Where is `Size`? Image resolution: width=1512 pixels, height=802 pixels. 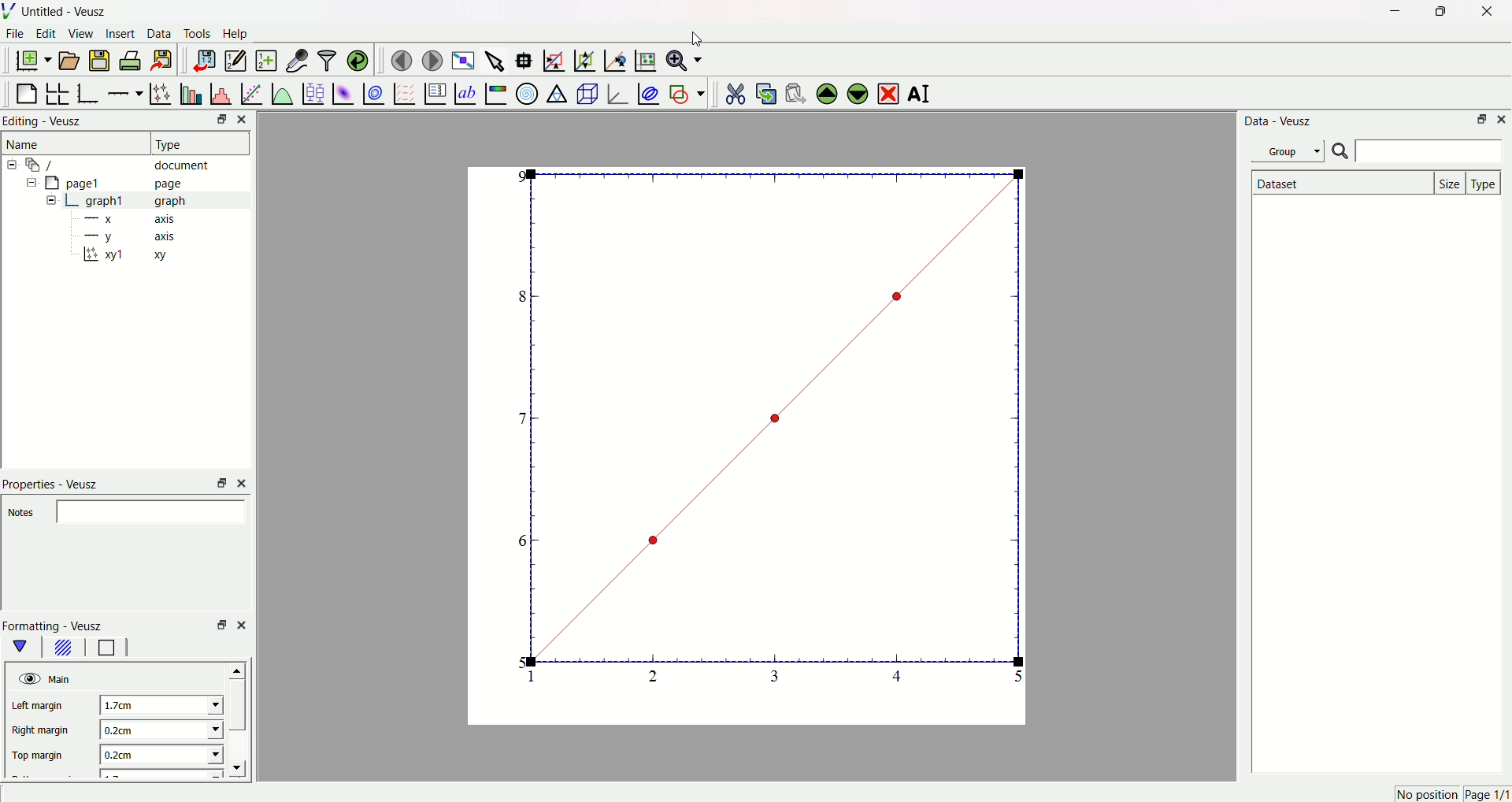 Size is located at coordinates (1451, 182).